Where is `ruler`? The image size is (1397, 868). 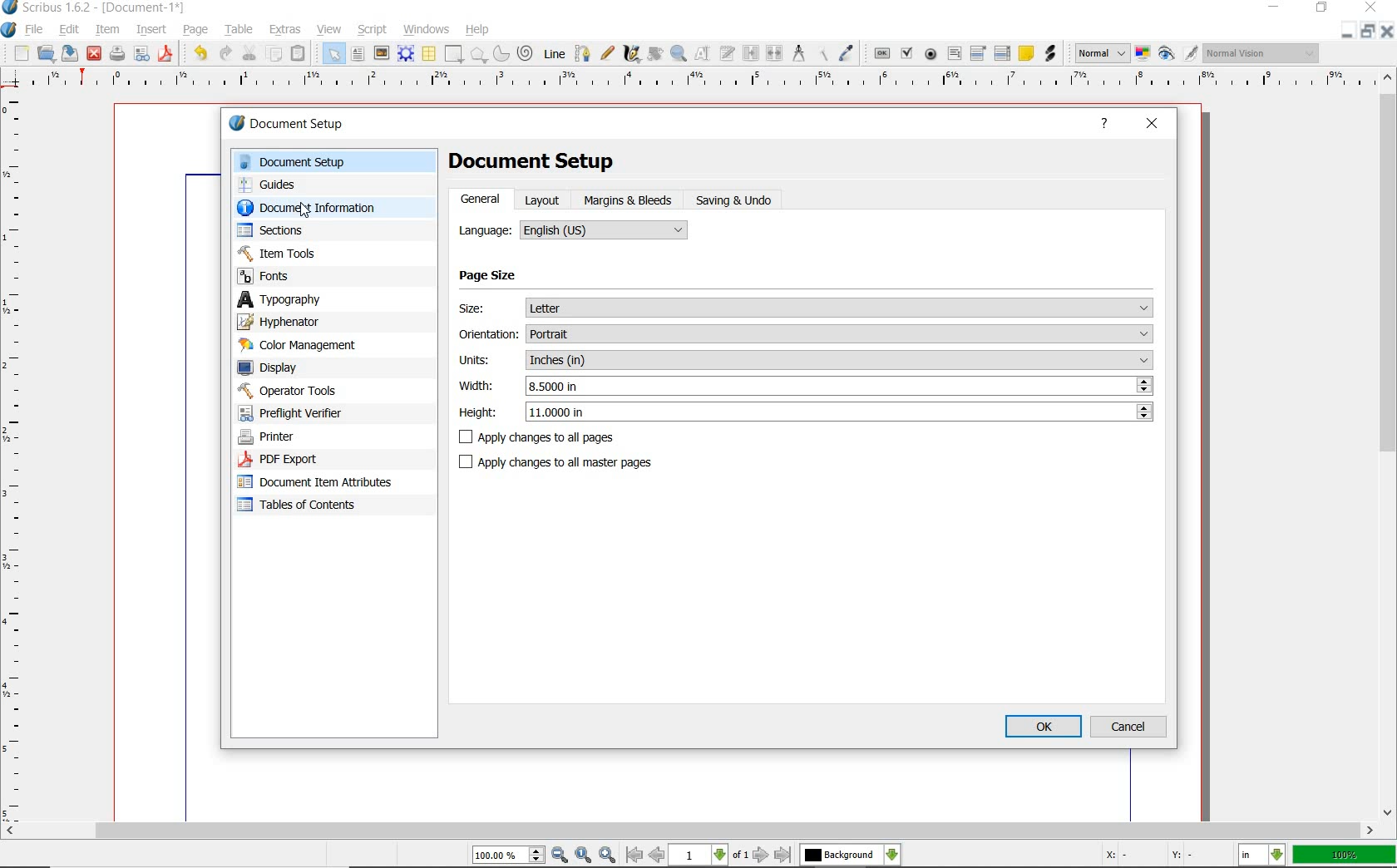 ruler is located at coordinates (705, 83).